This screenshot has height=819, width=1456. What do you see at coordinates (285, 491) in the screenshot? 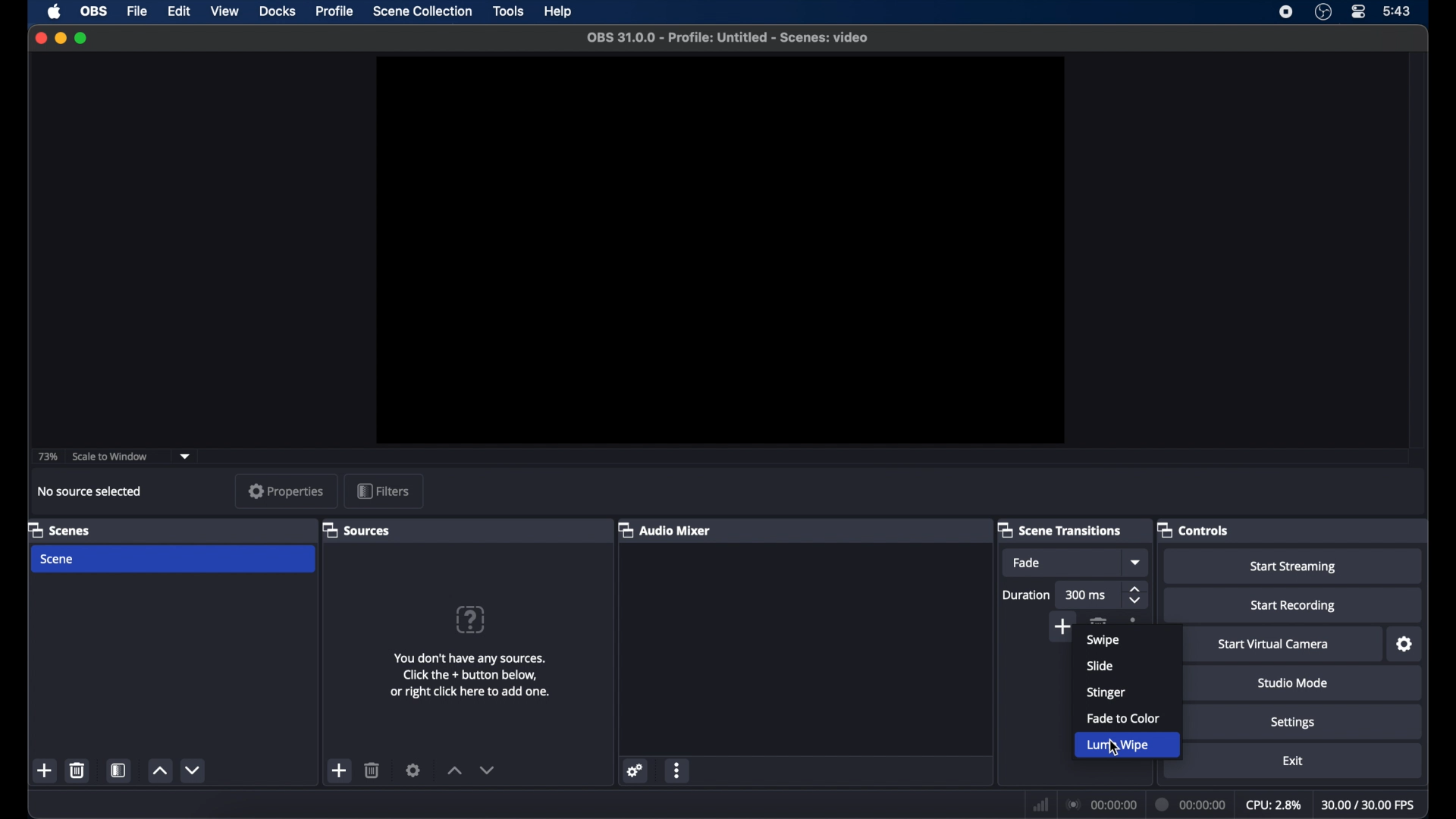
I see `properties` at bounding box center [285, 491].